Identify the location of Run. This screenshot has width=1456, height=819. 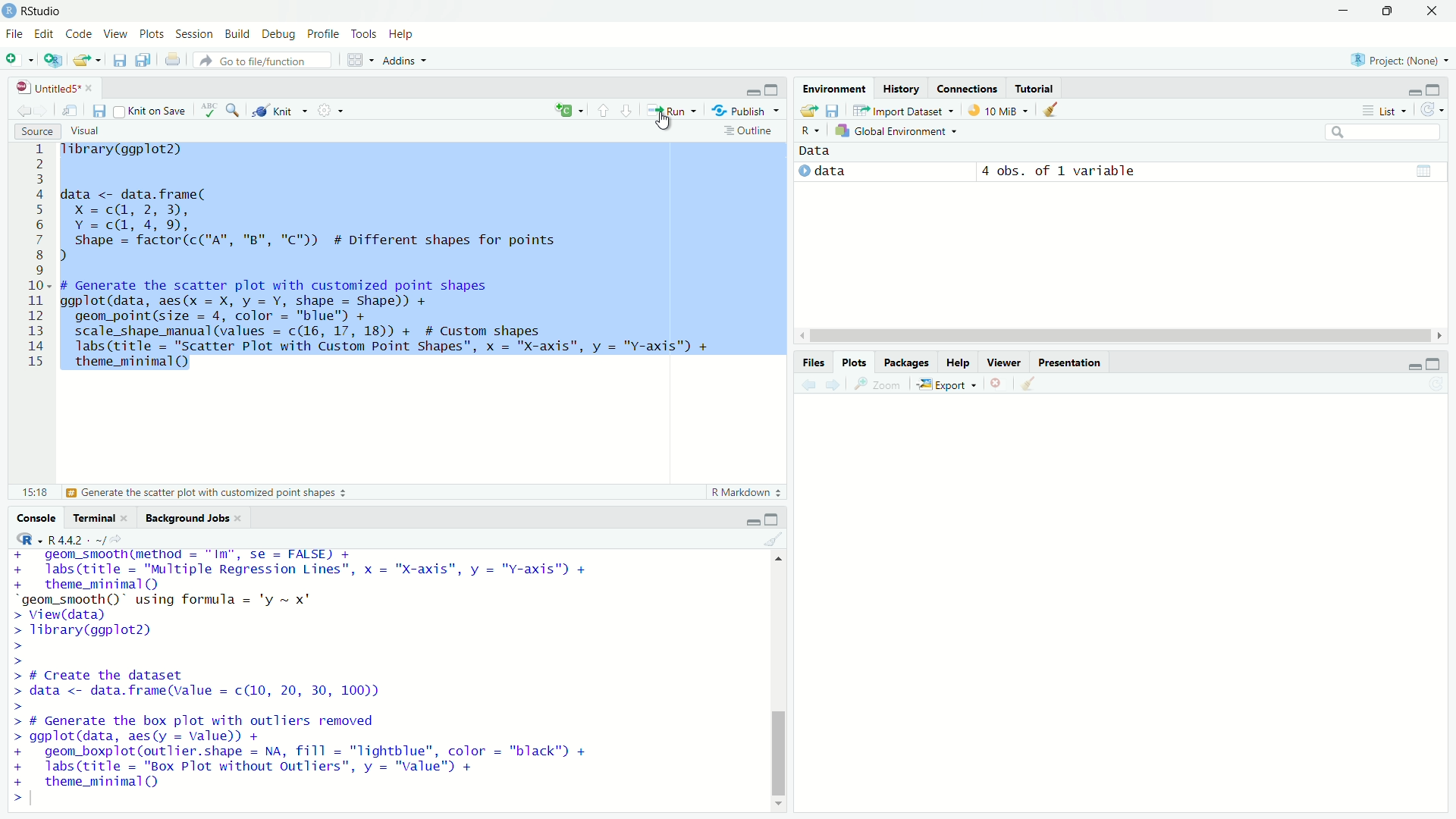
(672, 111).